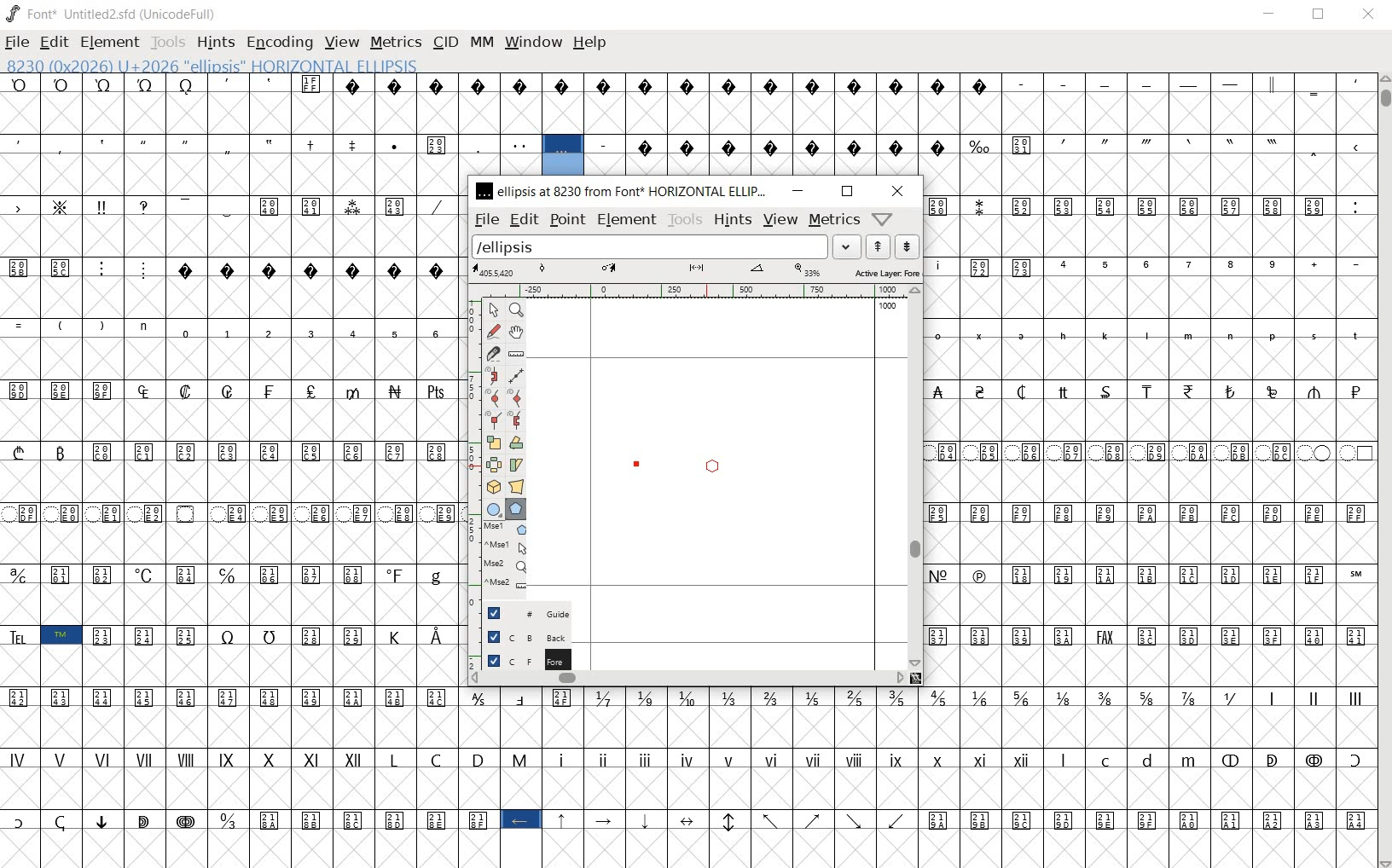  Describe the element at coordinates (1148, 438) in the screenshot. I see `glyph characters` at that location.